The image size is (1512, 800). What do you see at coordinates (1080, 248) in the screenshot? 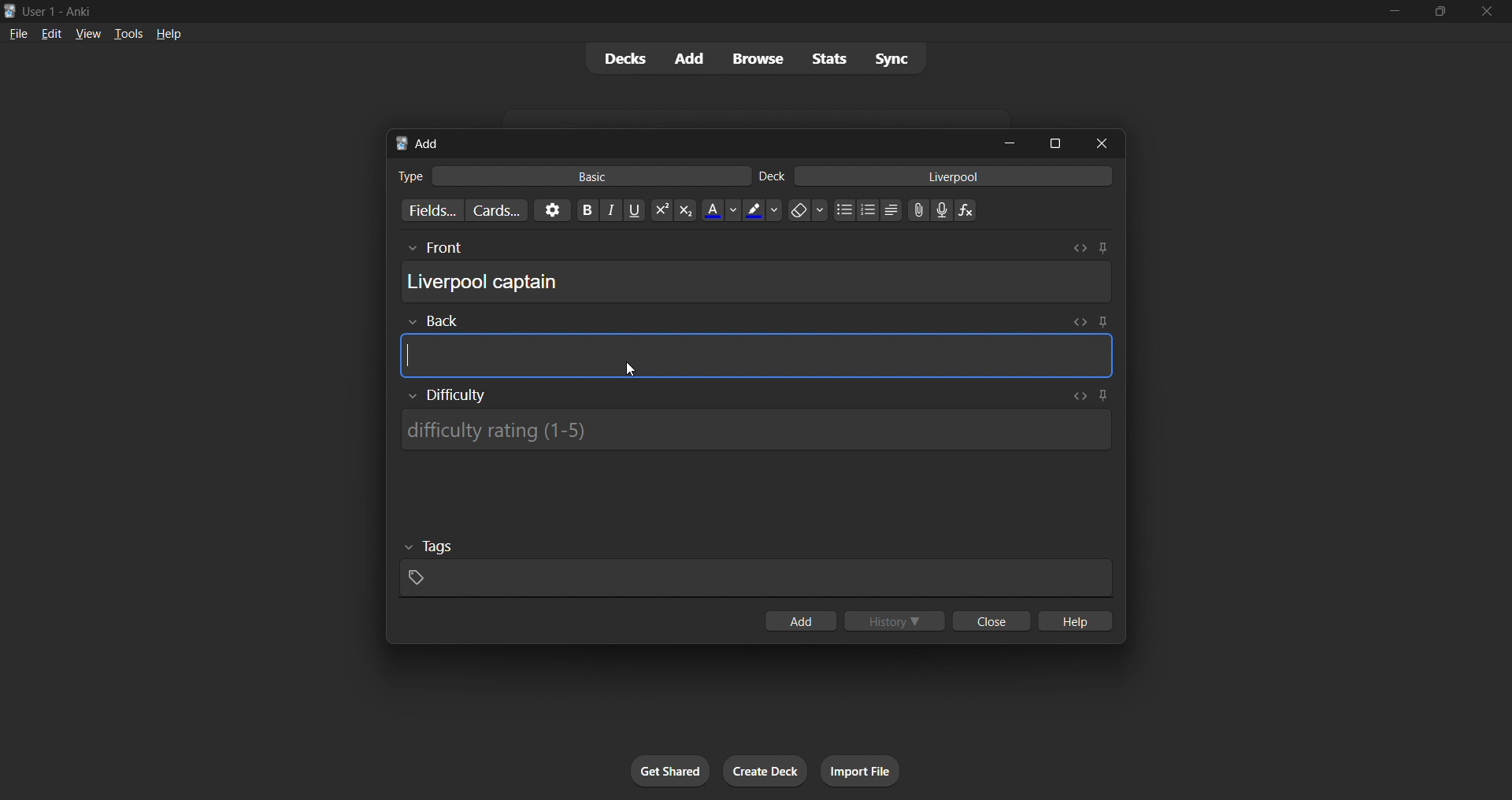
I see `Toggle HTML editor` at bounding box center [1080, 248].